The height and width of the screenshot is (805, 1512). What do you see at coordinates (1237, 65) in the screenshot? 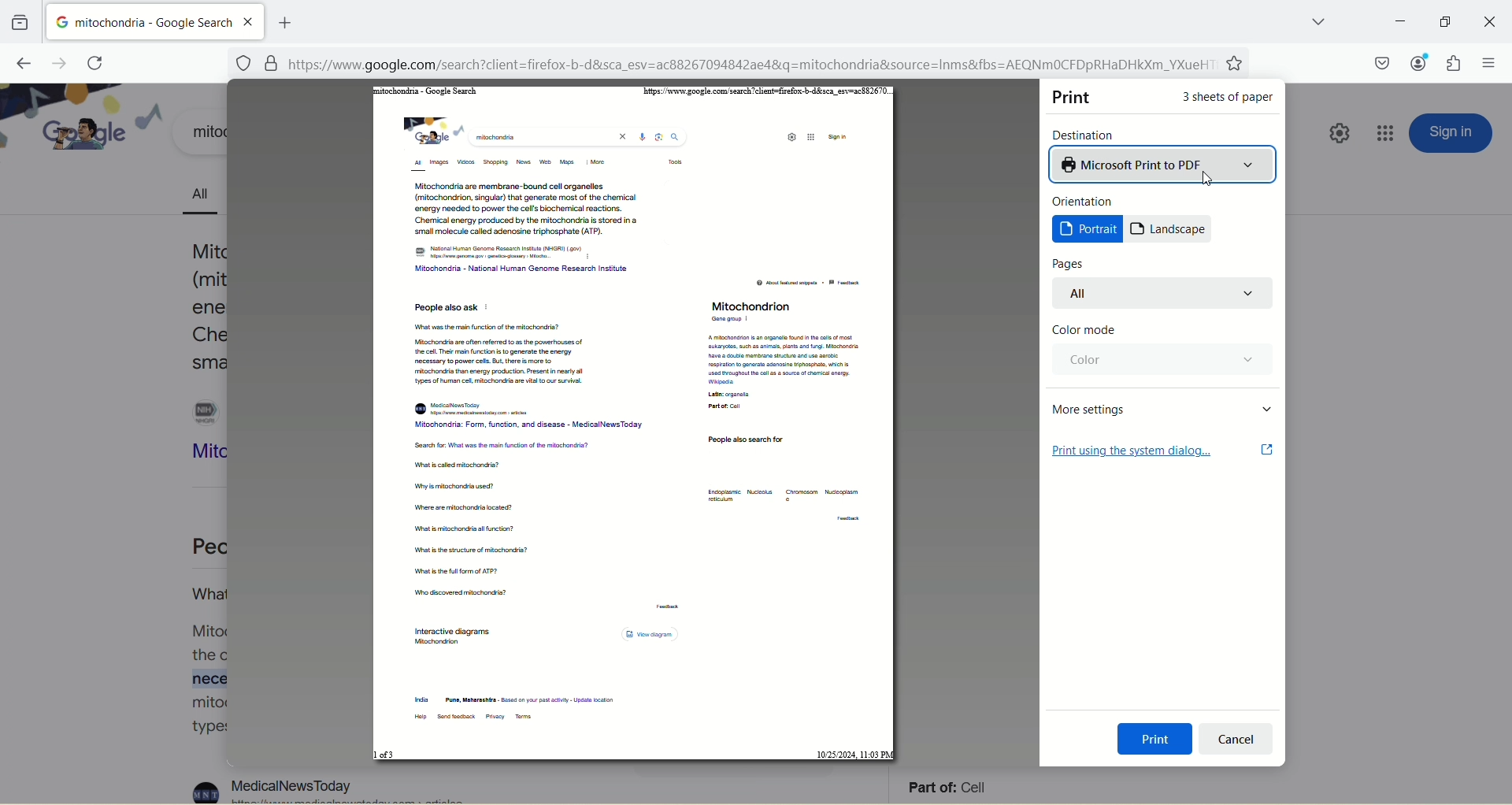
I see `favorites ` at bounding box center [1237, 65].